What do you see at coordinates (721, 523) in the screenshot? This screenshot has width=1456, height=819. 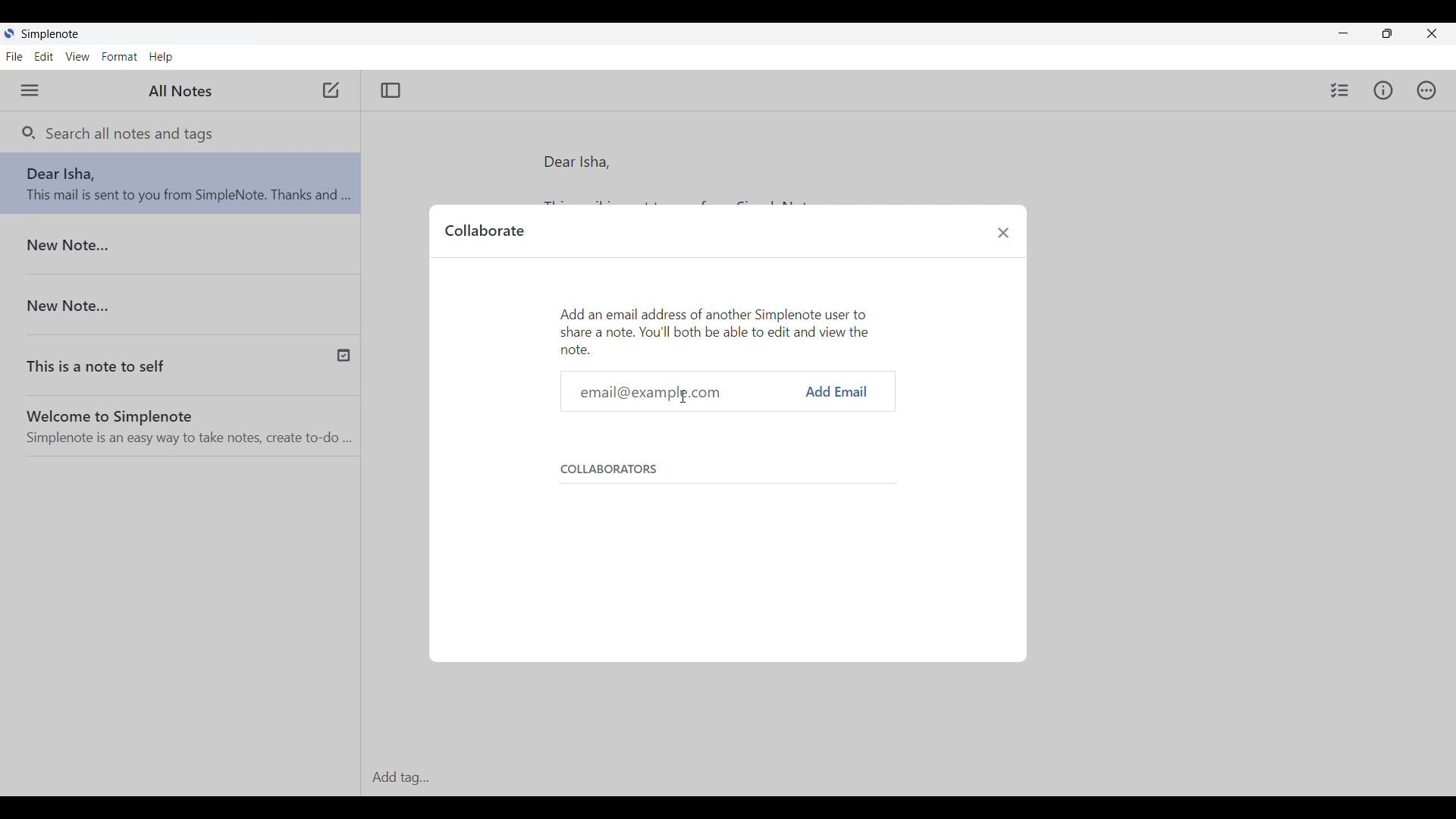 I see `Section listing collaborators` at bounding box center [721, 523].